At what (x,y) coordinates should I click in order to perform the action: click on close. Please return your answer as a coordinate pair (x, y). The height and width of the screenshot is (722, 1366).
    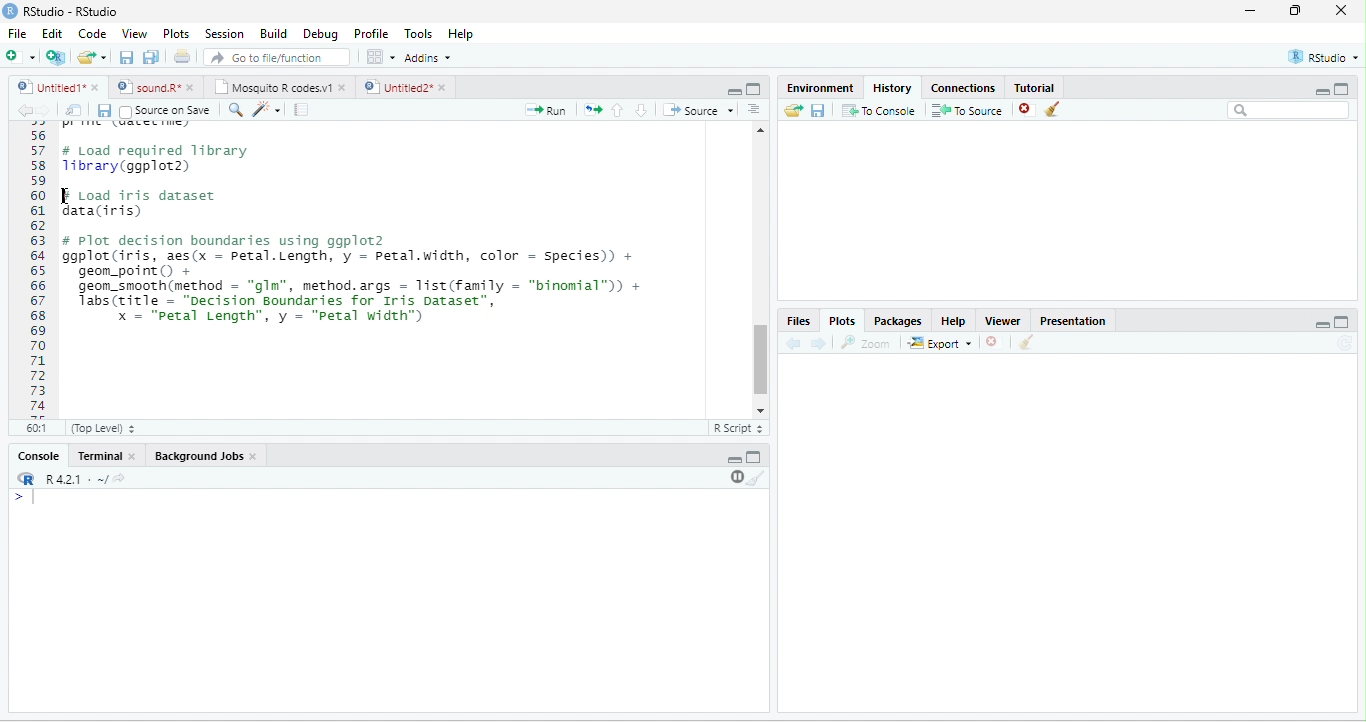
    Looking at the image, I should click on (134, 457).